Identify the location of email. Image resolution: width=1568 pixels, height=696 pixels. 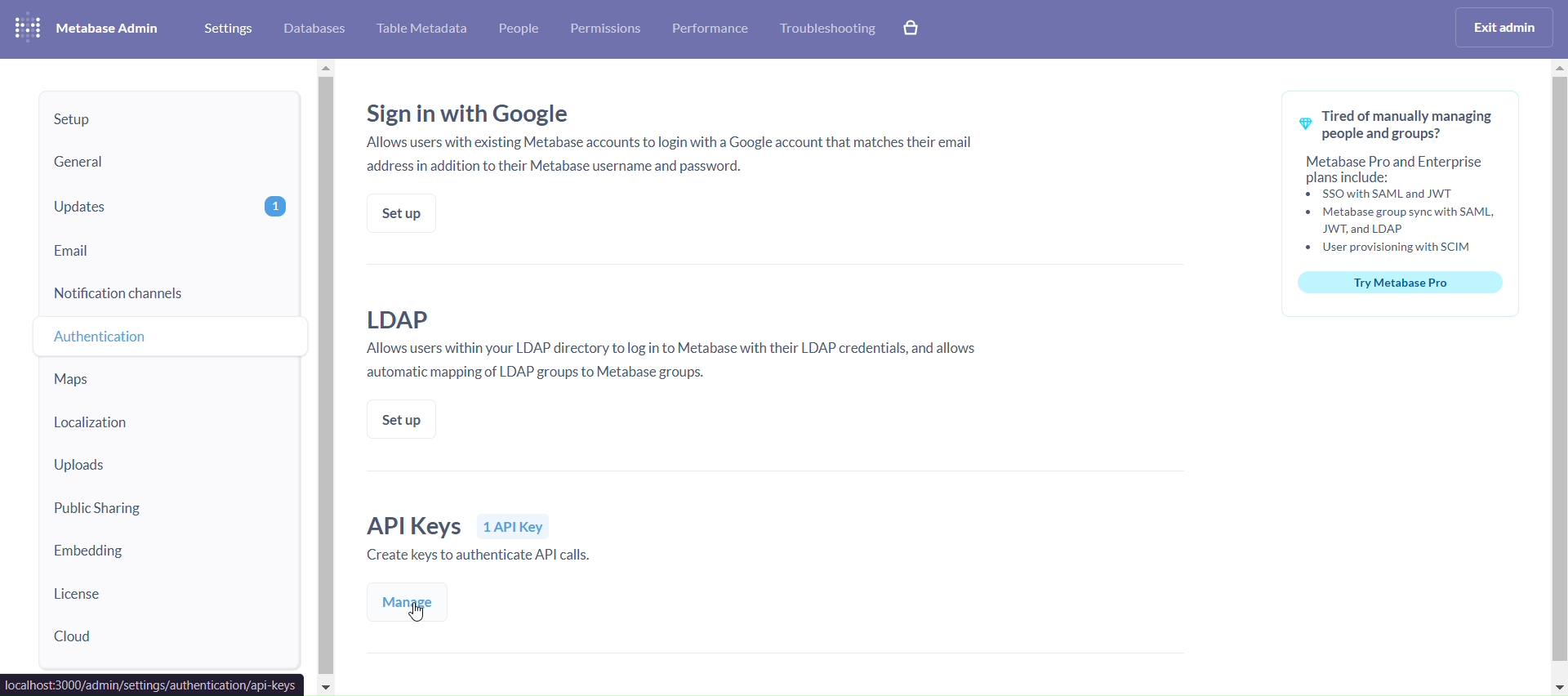
(168, 248).